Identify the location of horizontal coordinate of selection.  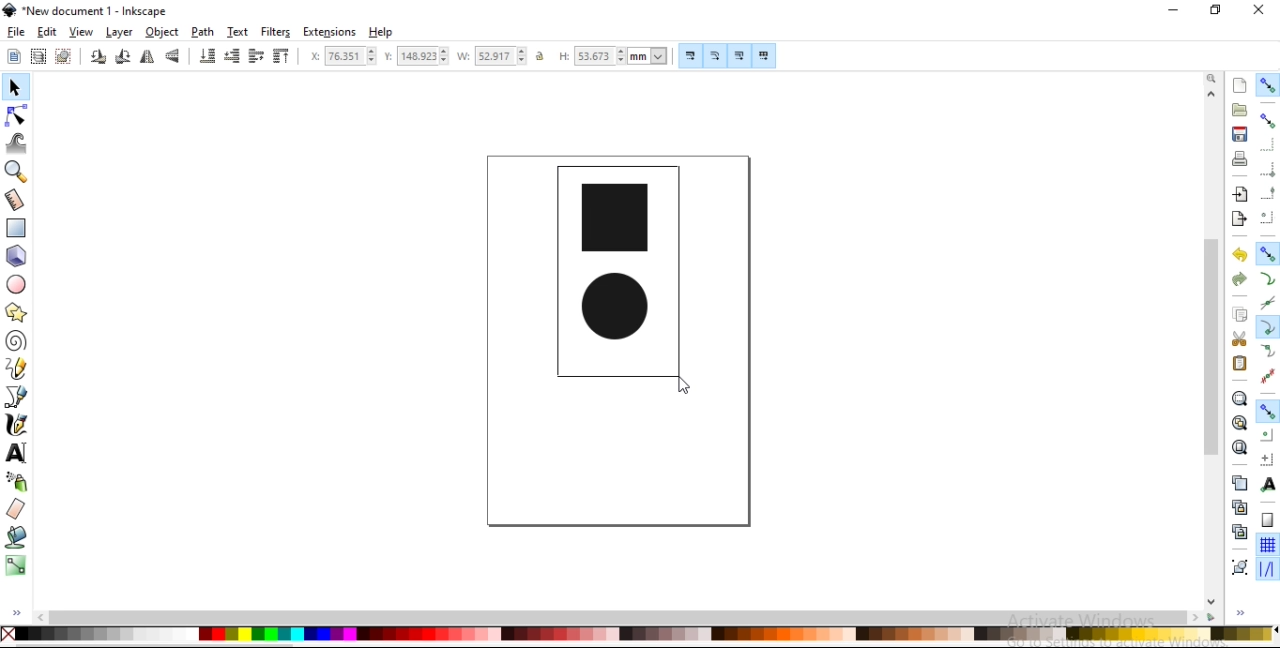
(342, 57).